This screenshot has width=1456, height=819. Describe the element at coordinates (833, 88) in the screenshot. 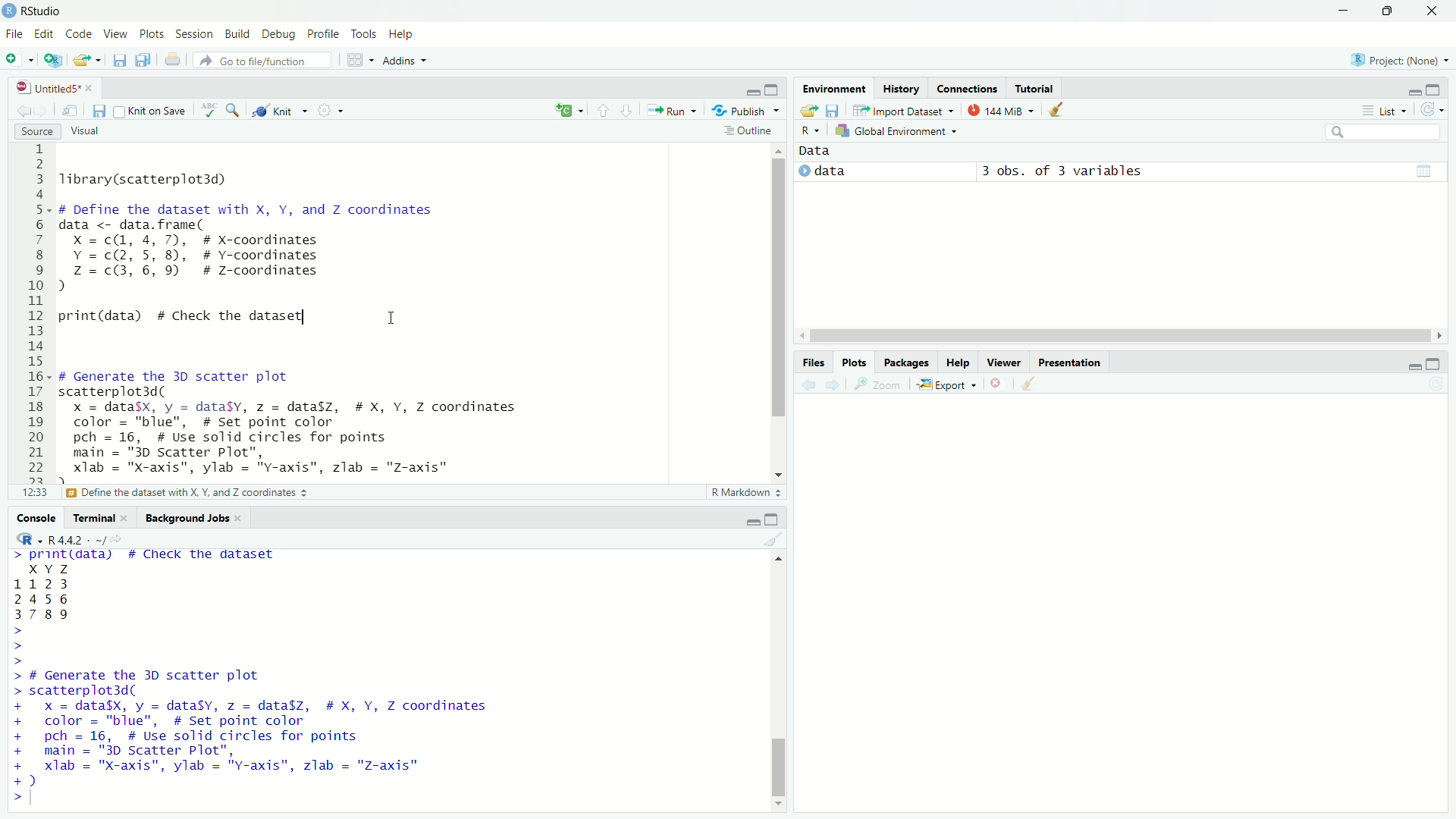

I see `environment` at that location.